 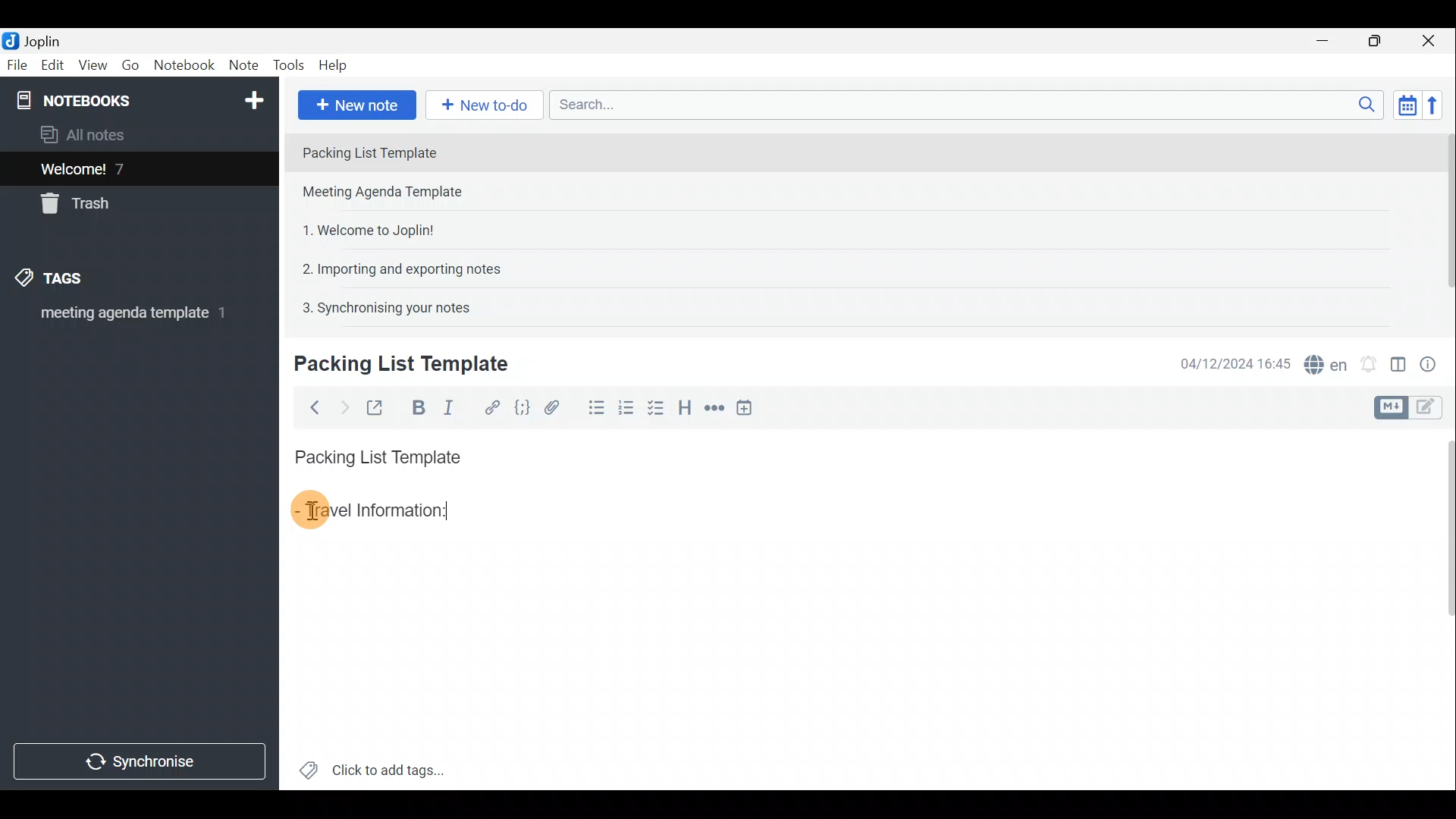 What do you see at coordinates (335, 67) in the screenshot?
I see `Help` at bounding box center [335, 67].